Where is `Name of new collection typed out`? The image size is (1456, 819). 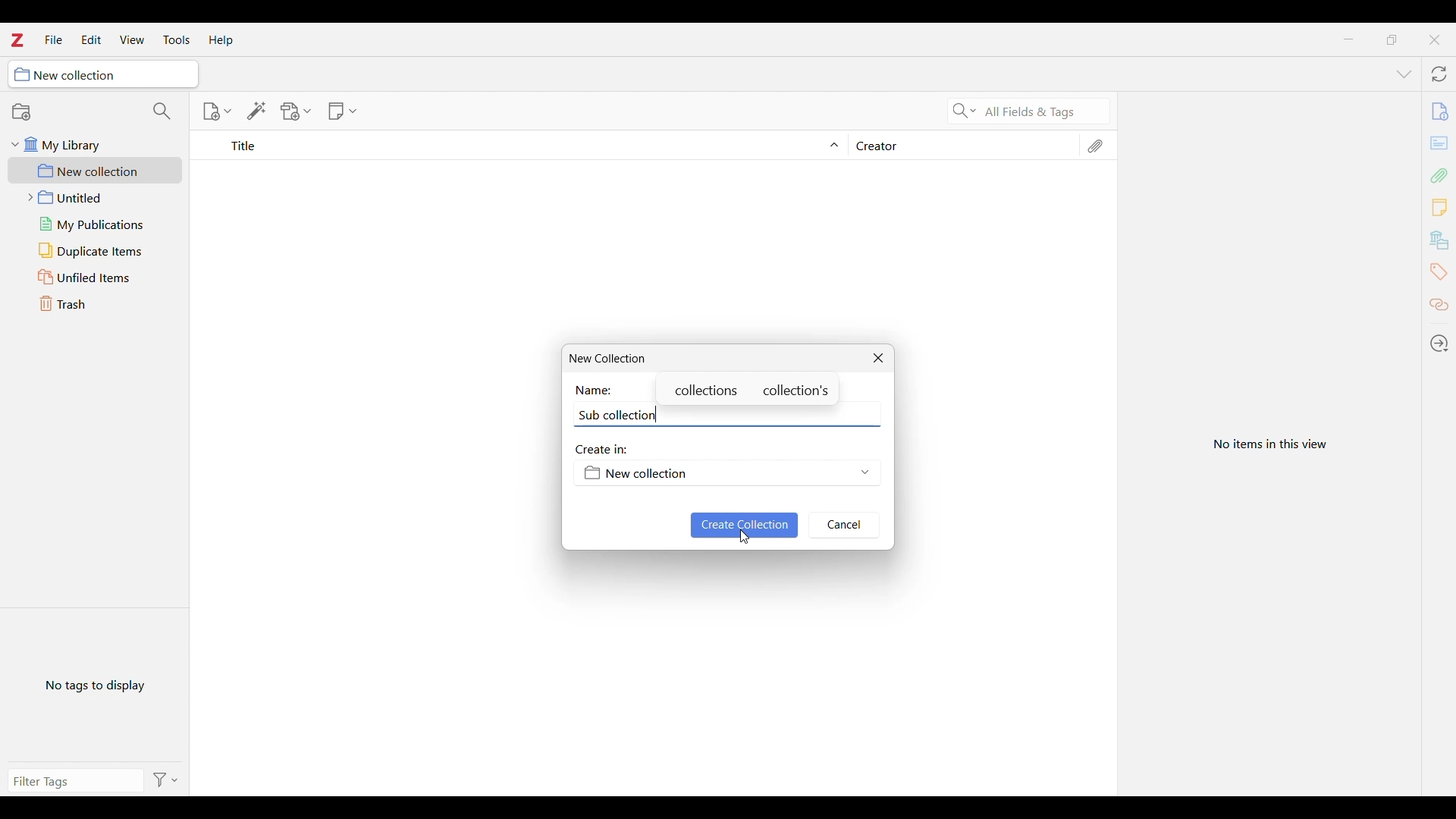
Name of new collection typed out is located at coordinates (726, 416).